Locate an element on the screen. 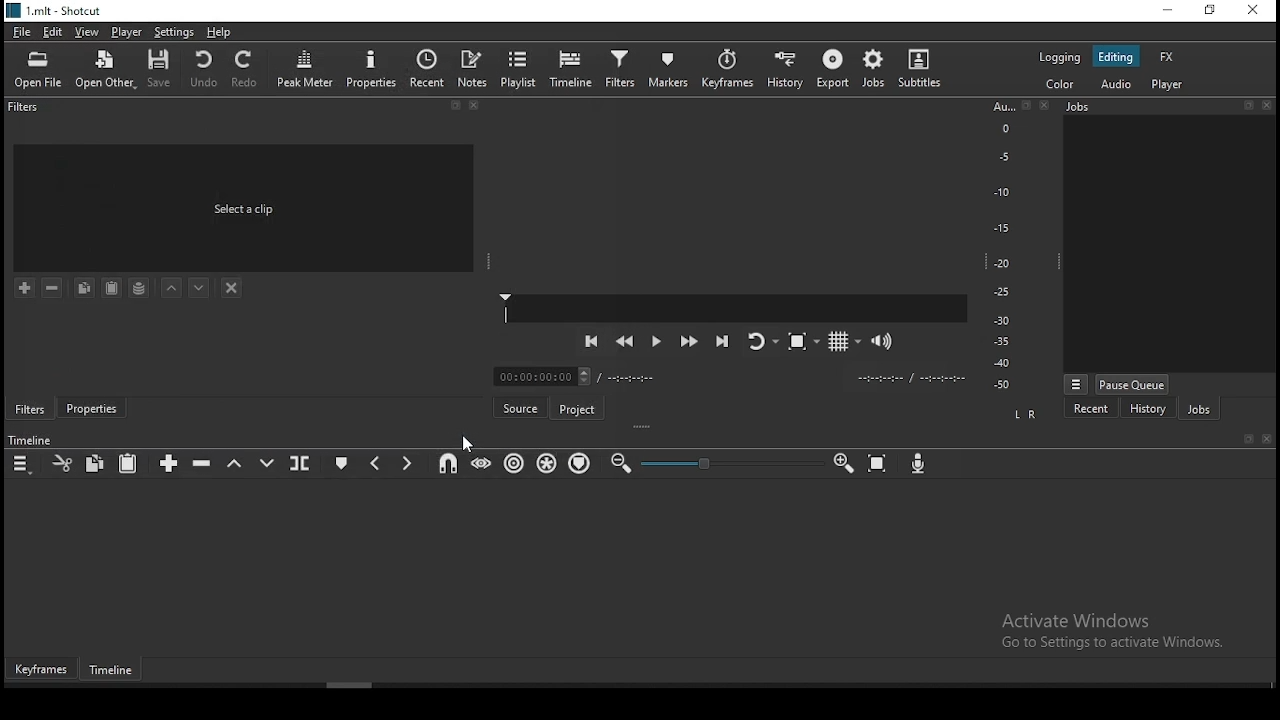  split at playhead is located at coordinates (302, 463).